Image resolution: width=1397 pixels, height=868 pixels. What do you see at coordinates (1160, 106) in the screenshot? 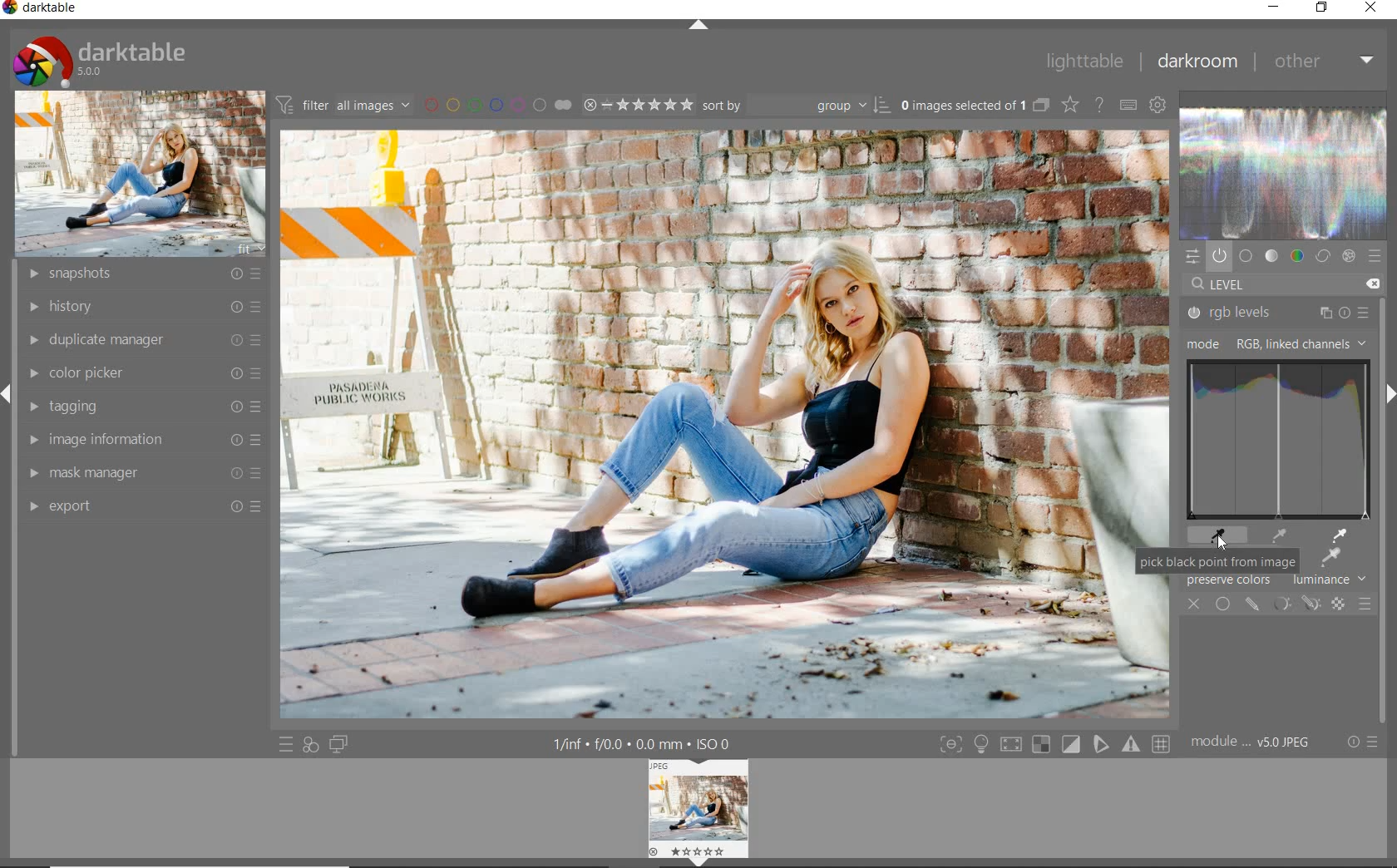
I see `show global preferences` at bounding box center [1160, 106].